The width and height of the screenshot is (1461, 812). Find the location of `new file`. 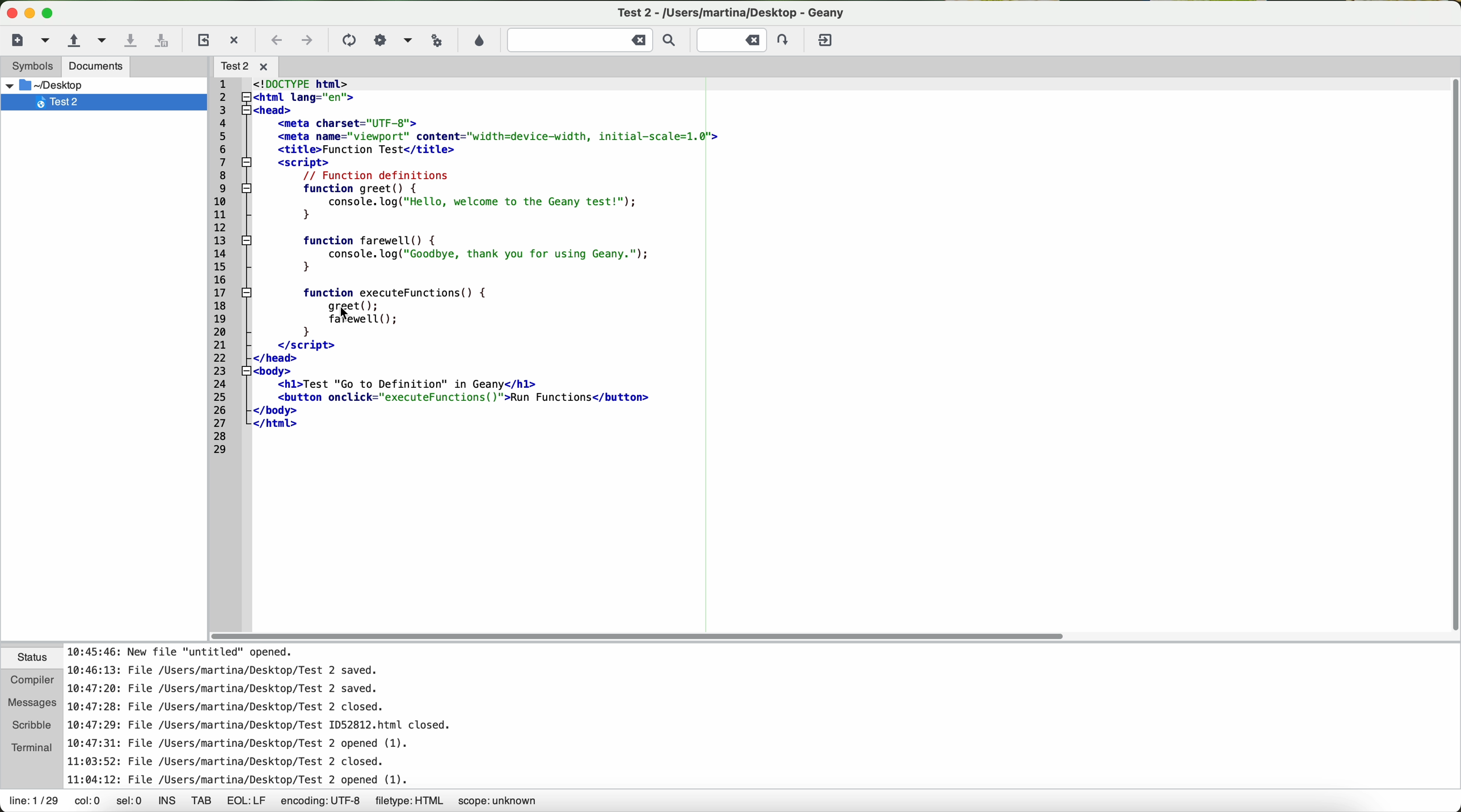

new file is located at coordinates (24, 40).